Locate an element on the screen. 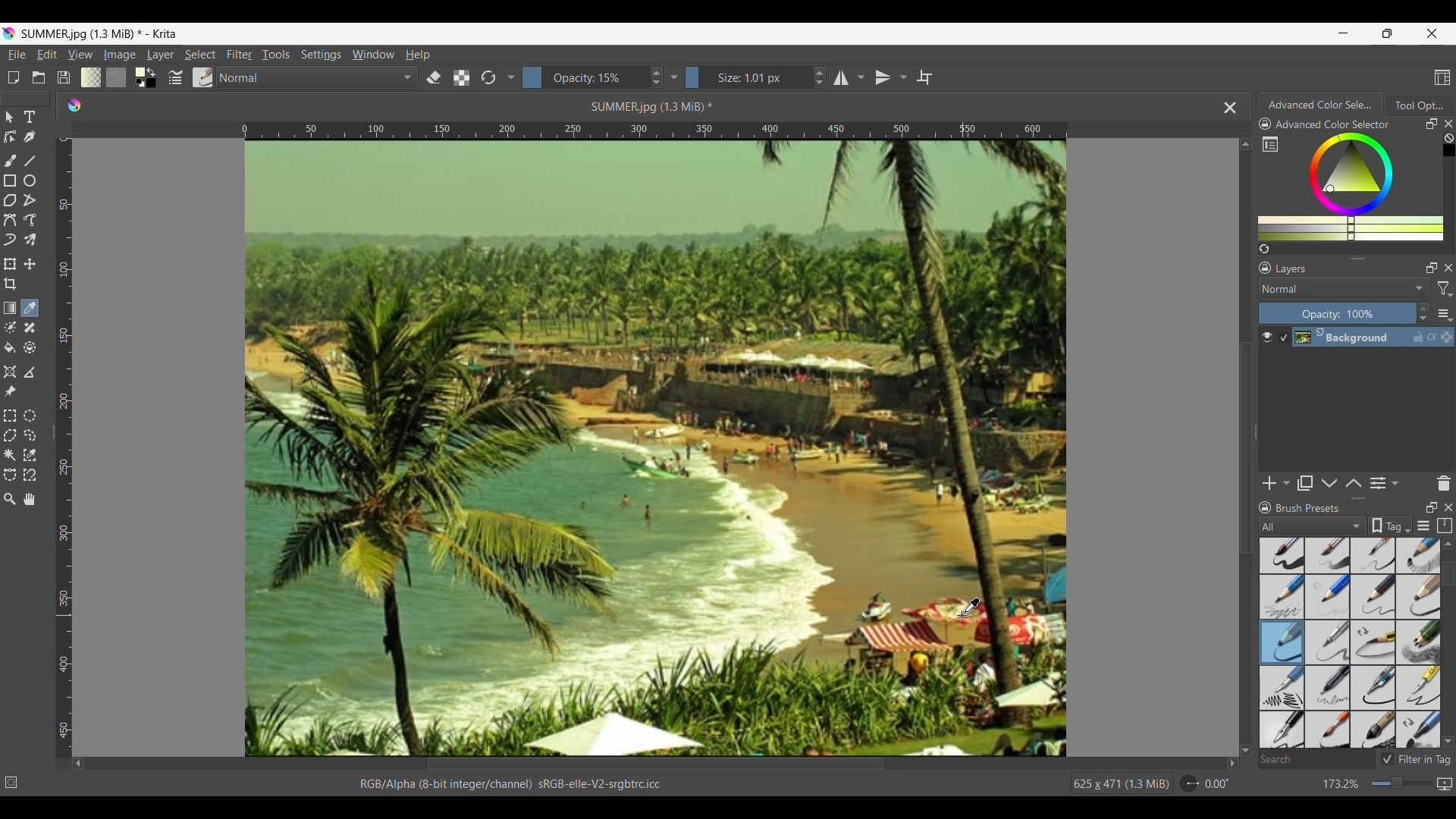 Image resolution: width=1456 pixels, height=819 pixels. Preserve alpha is located at coordinates (461, 78).